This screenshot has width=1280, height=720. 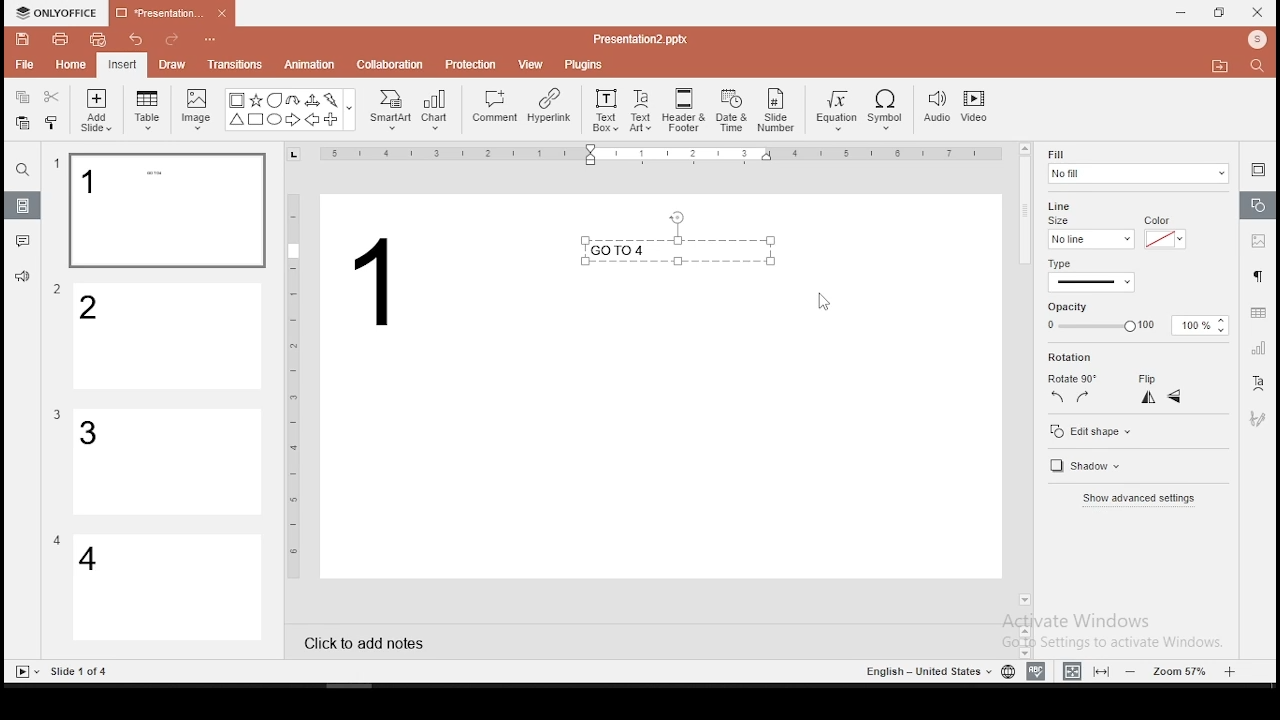 What do you see at coordinates (825, 303) in the screenshot?
I see `mouse pointer` at bounding box center [825, 303].